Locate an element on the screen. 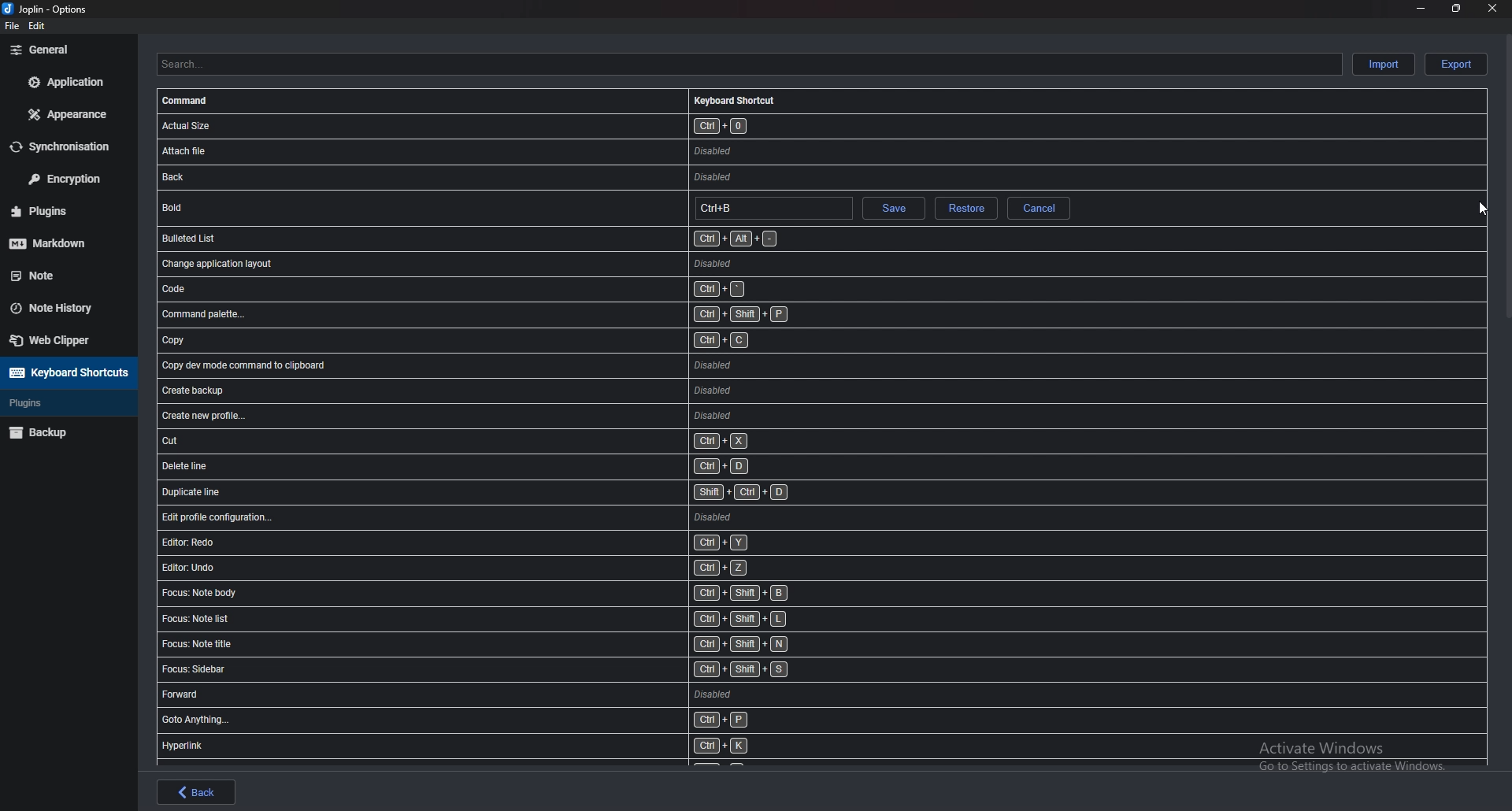 The height and width of the screenshot is (811, 1512). shortcut is located at coordinates (506, 339).